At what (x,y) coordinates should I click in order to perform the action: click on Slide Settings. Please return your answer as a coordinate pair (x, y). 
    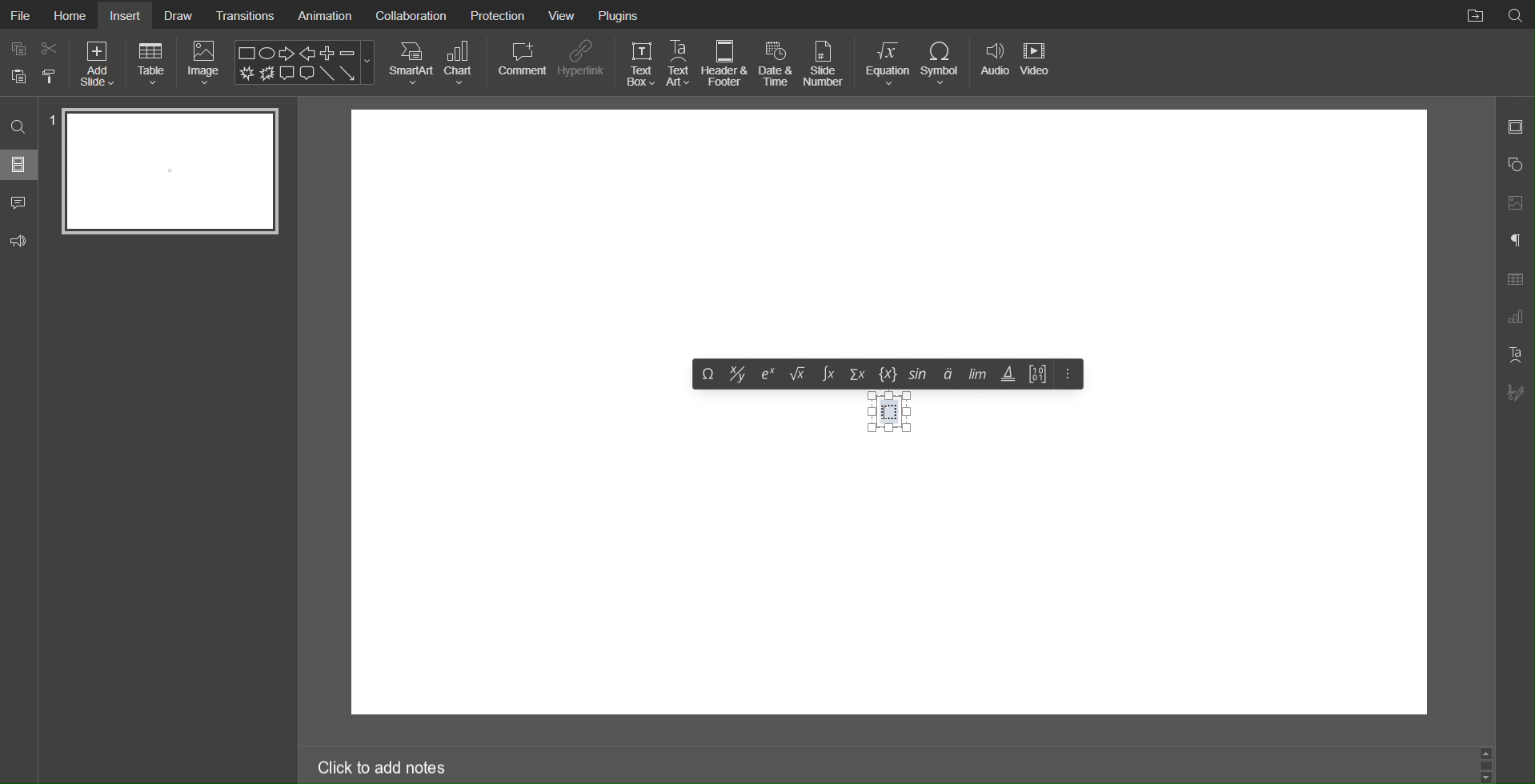
    Looking at the image, I should click on (1514, 126).